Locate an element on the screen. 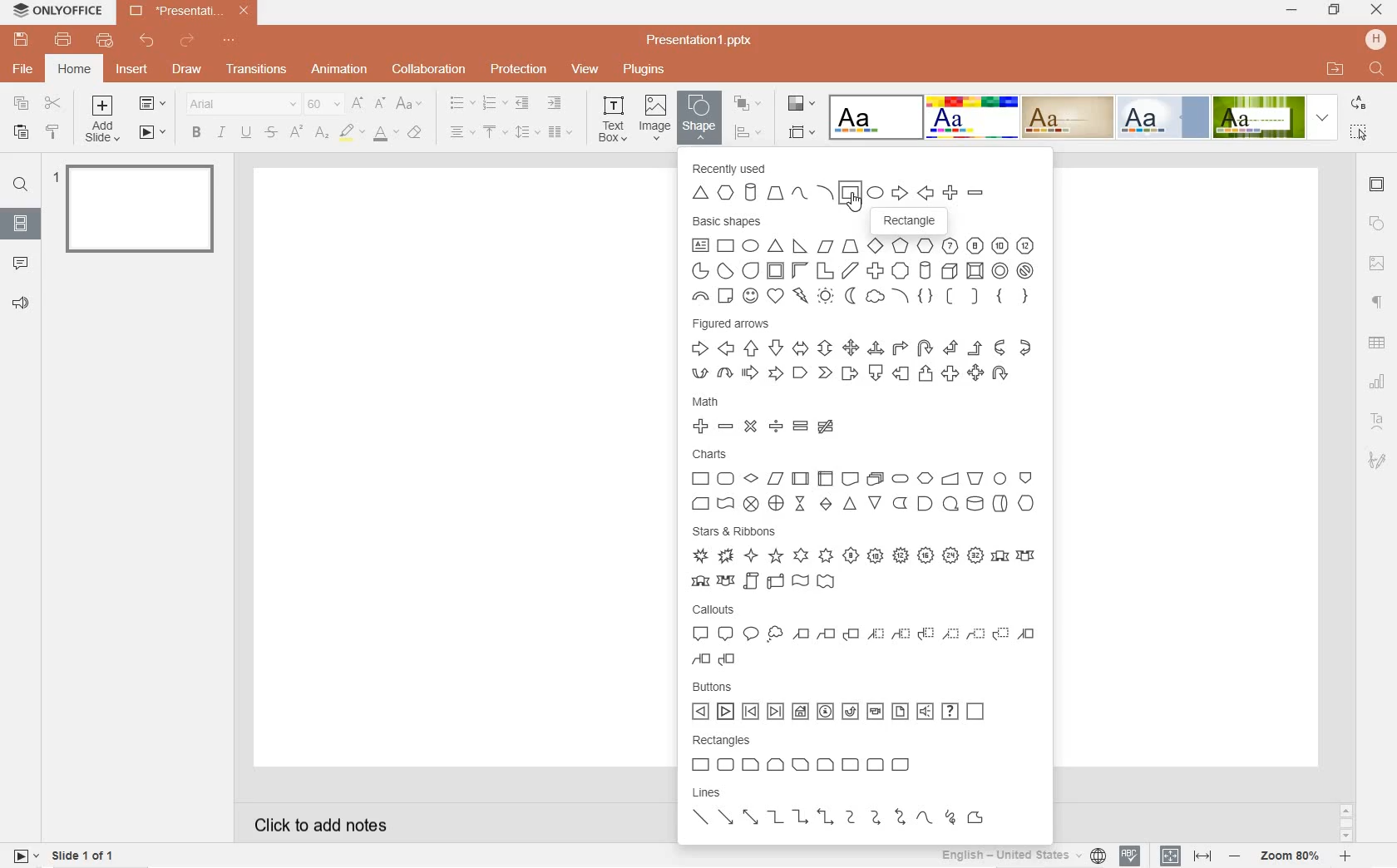 The width and height of the screenshot is (1397, 868). Arc is located at coordinates (823, 191).